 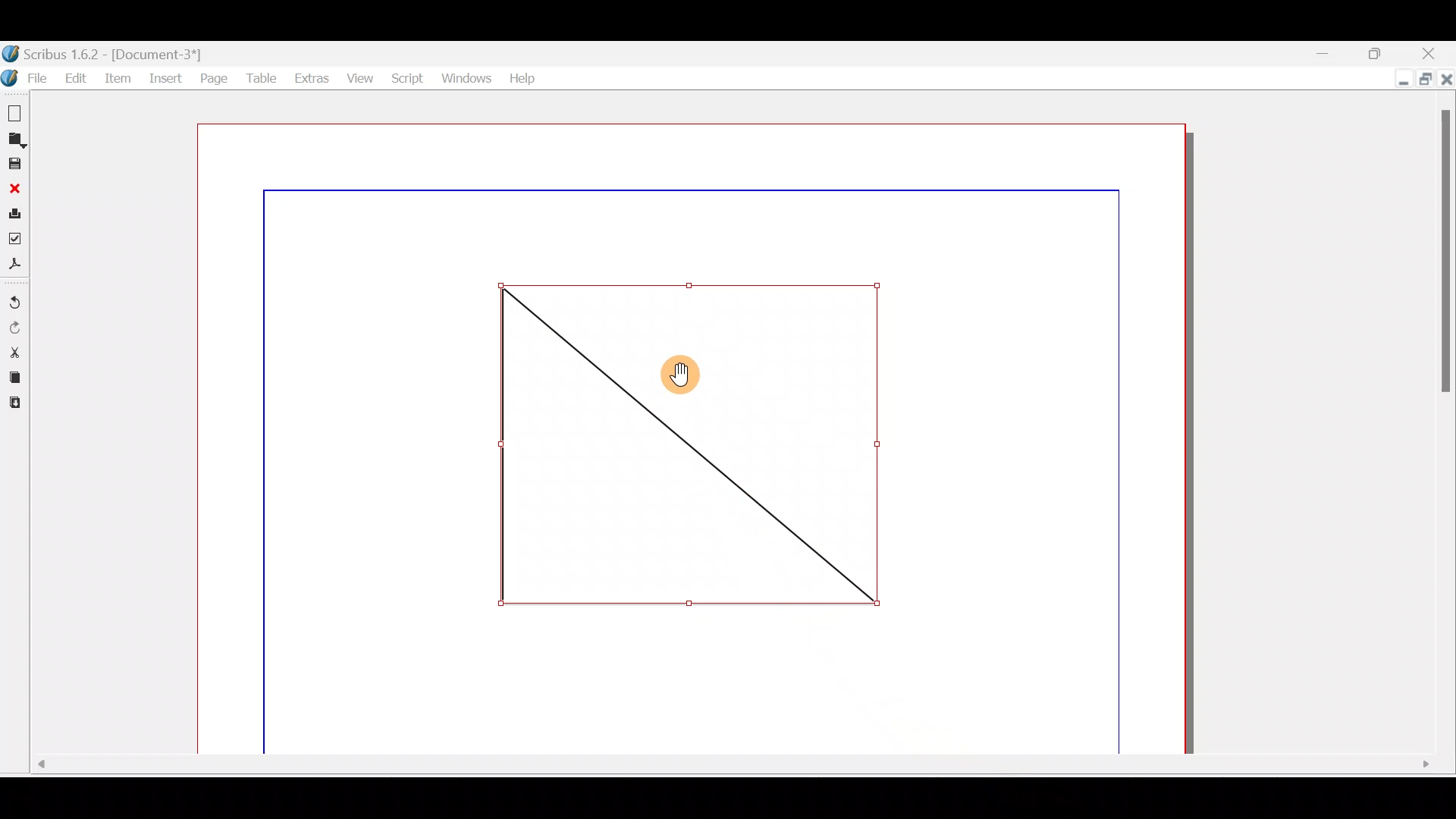 I want to click on Scroll bar, so click(x=726, y=768).